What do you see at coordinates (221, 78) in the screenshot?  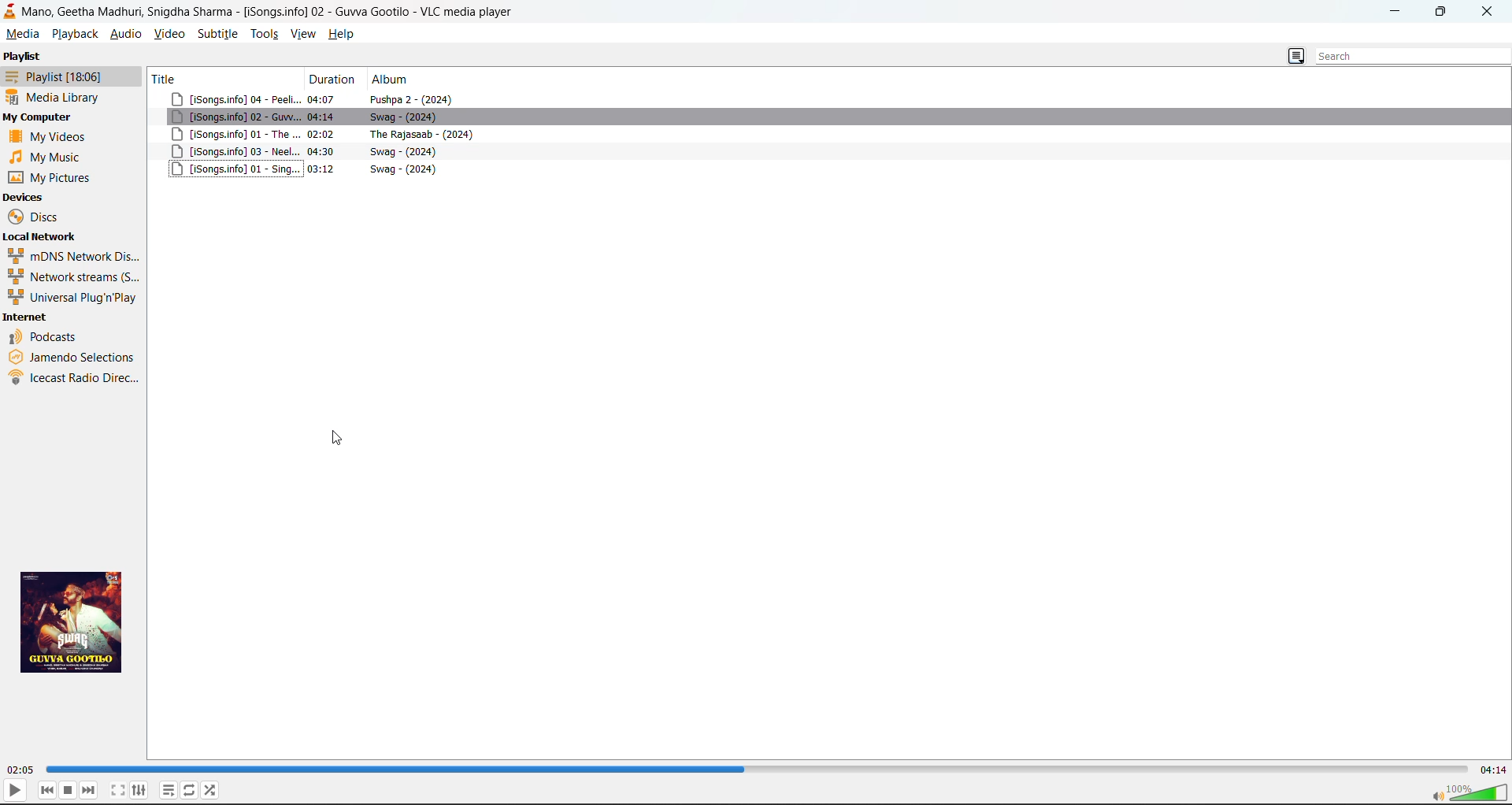 I see `title` at bounding box center [221, 78].